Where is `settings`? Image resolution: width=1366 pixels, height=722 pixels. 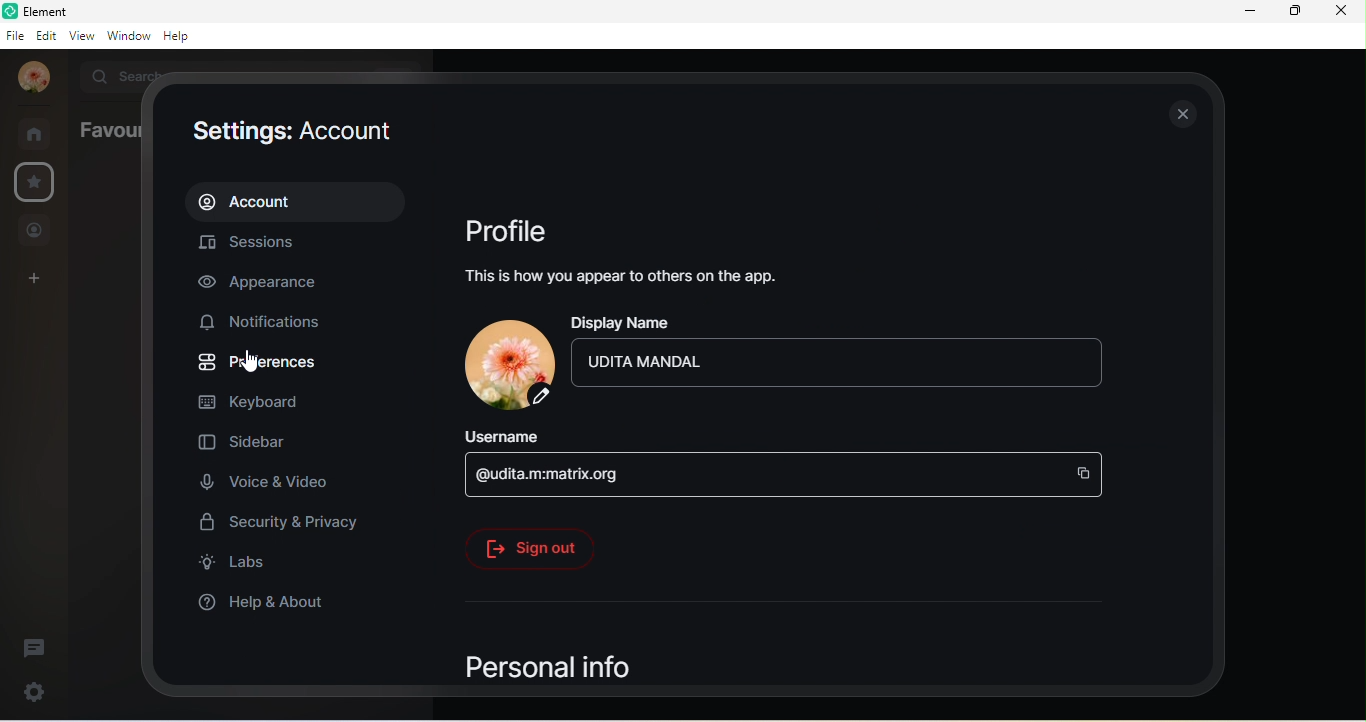
settings is located at coordinates (33, 690).